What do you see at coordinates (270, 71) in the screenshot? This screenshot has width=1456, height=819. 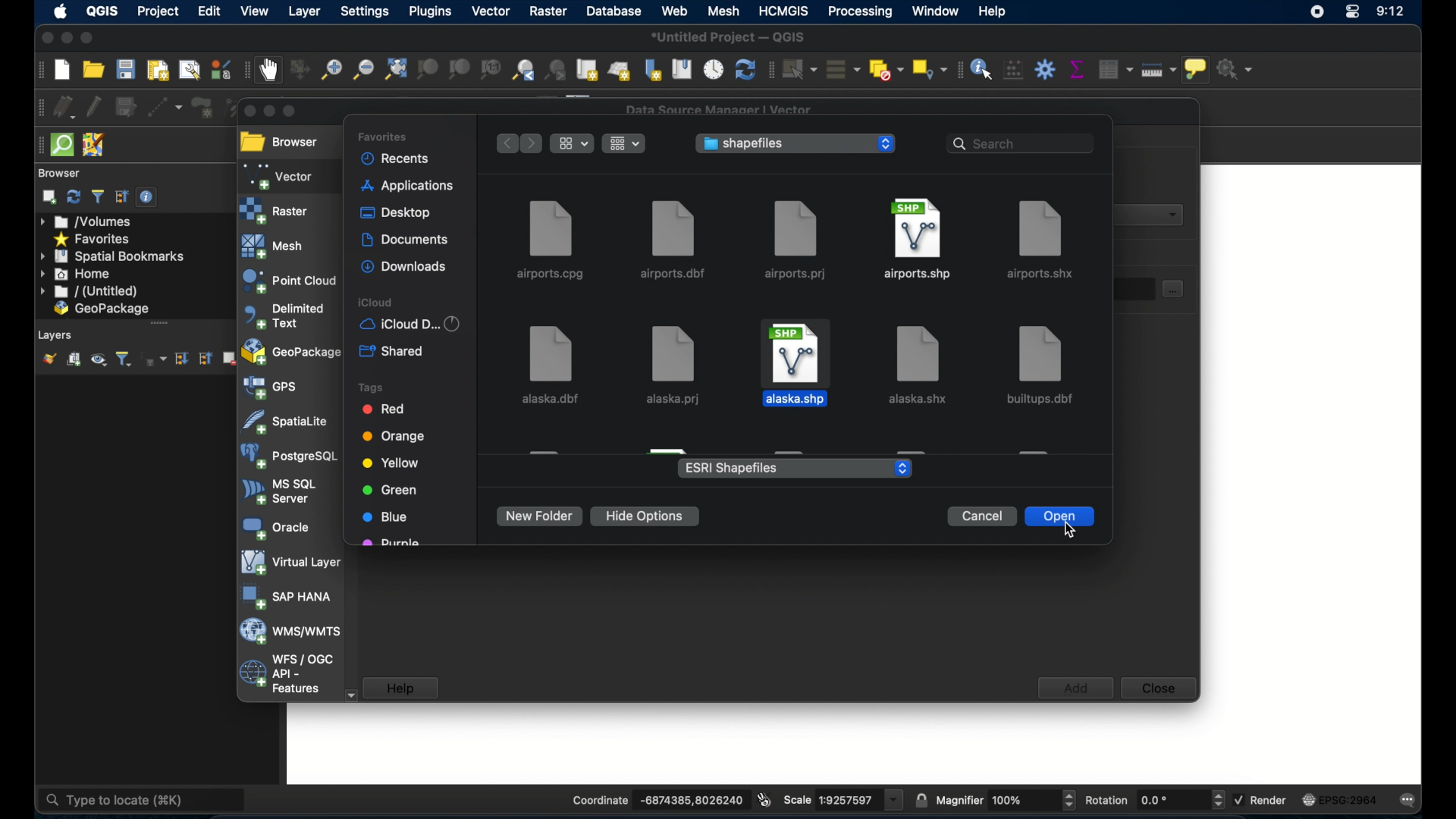 I see `pan map` at bounding box center [270, 71].